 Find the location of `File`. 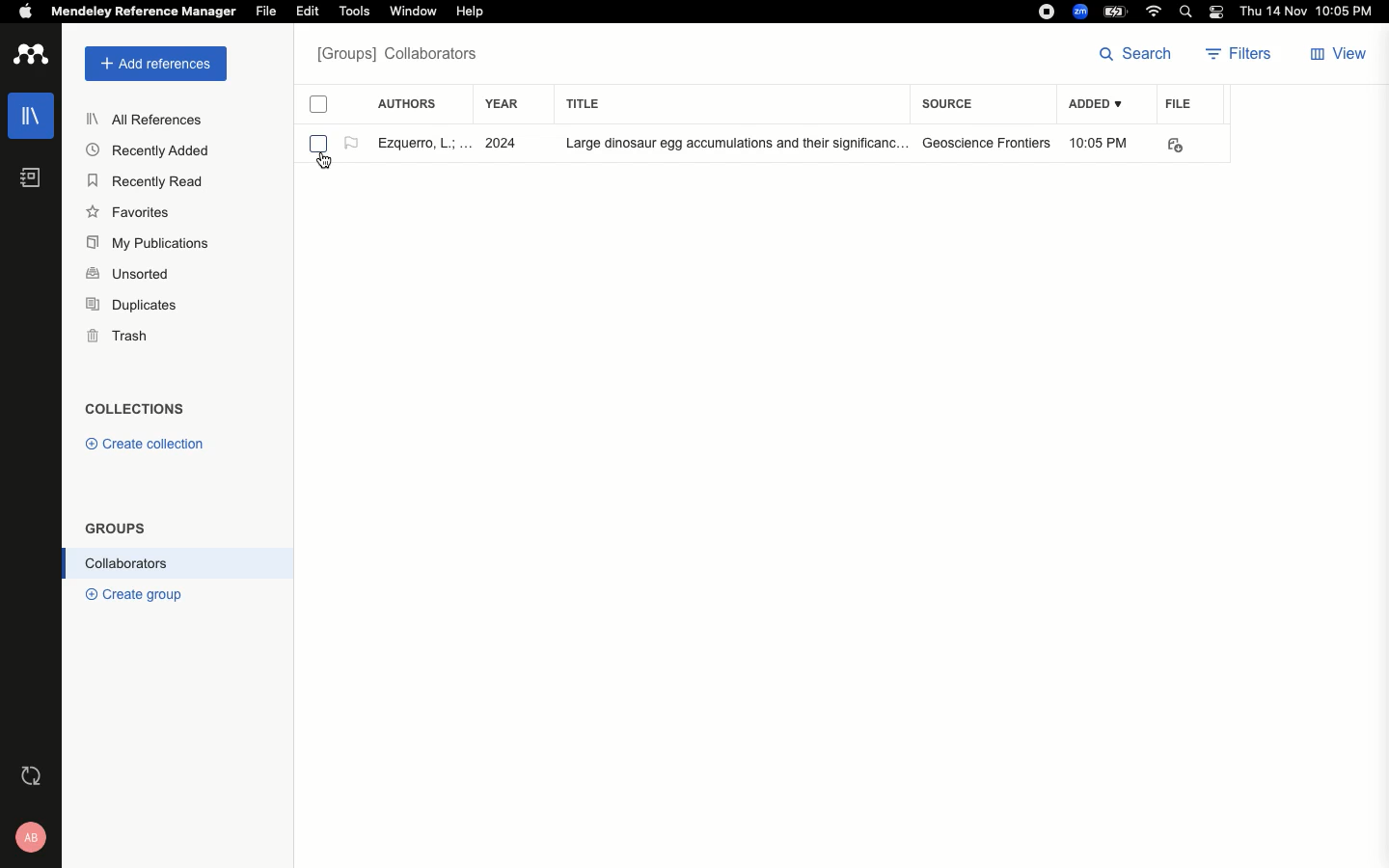

File is located at coordinates (1179, 103).